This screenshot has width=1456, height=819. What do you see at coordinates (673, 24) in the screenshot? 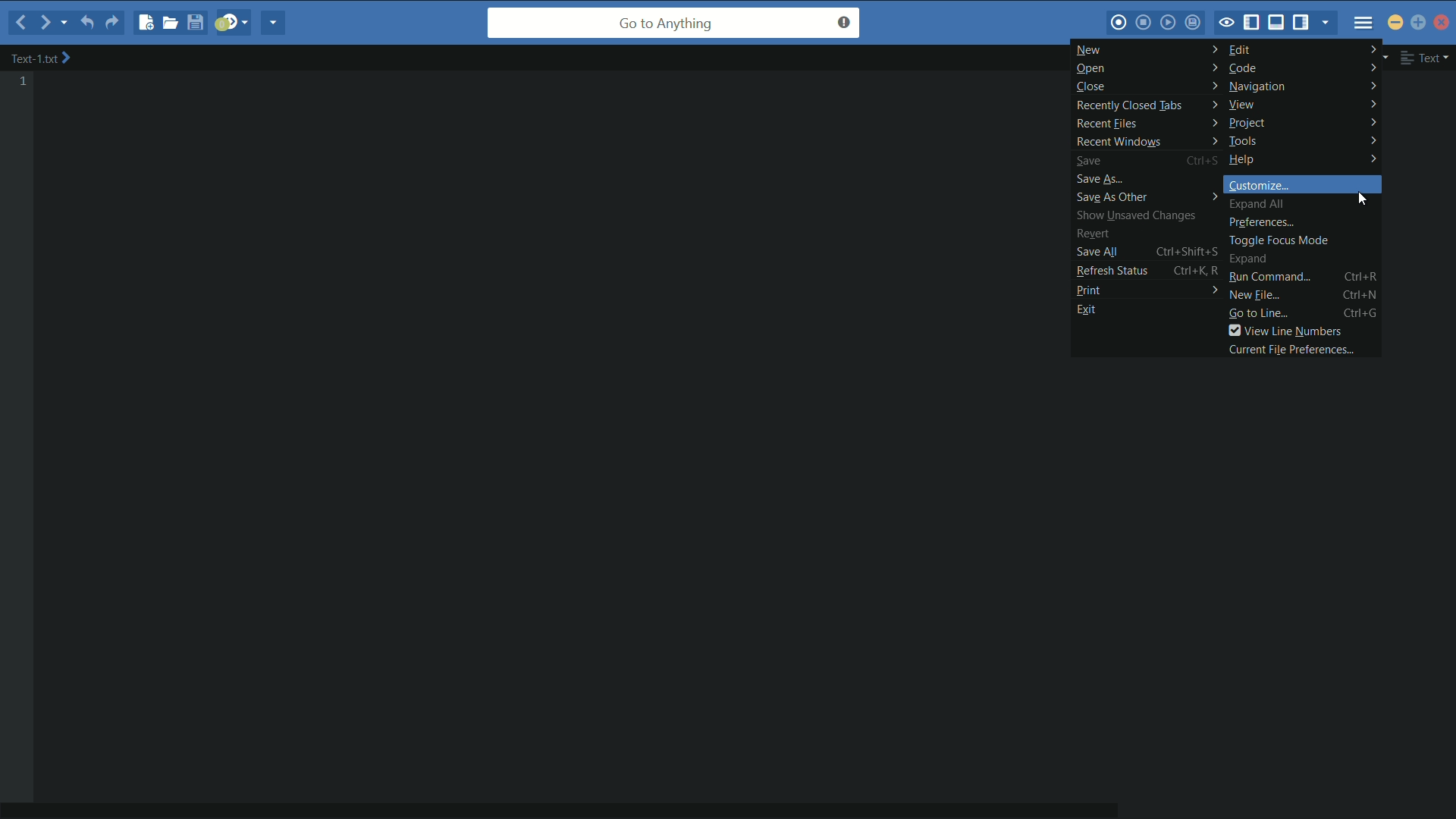
I see `go to anything` at bounding box center [673, 24].